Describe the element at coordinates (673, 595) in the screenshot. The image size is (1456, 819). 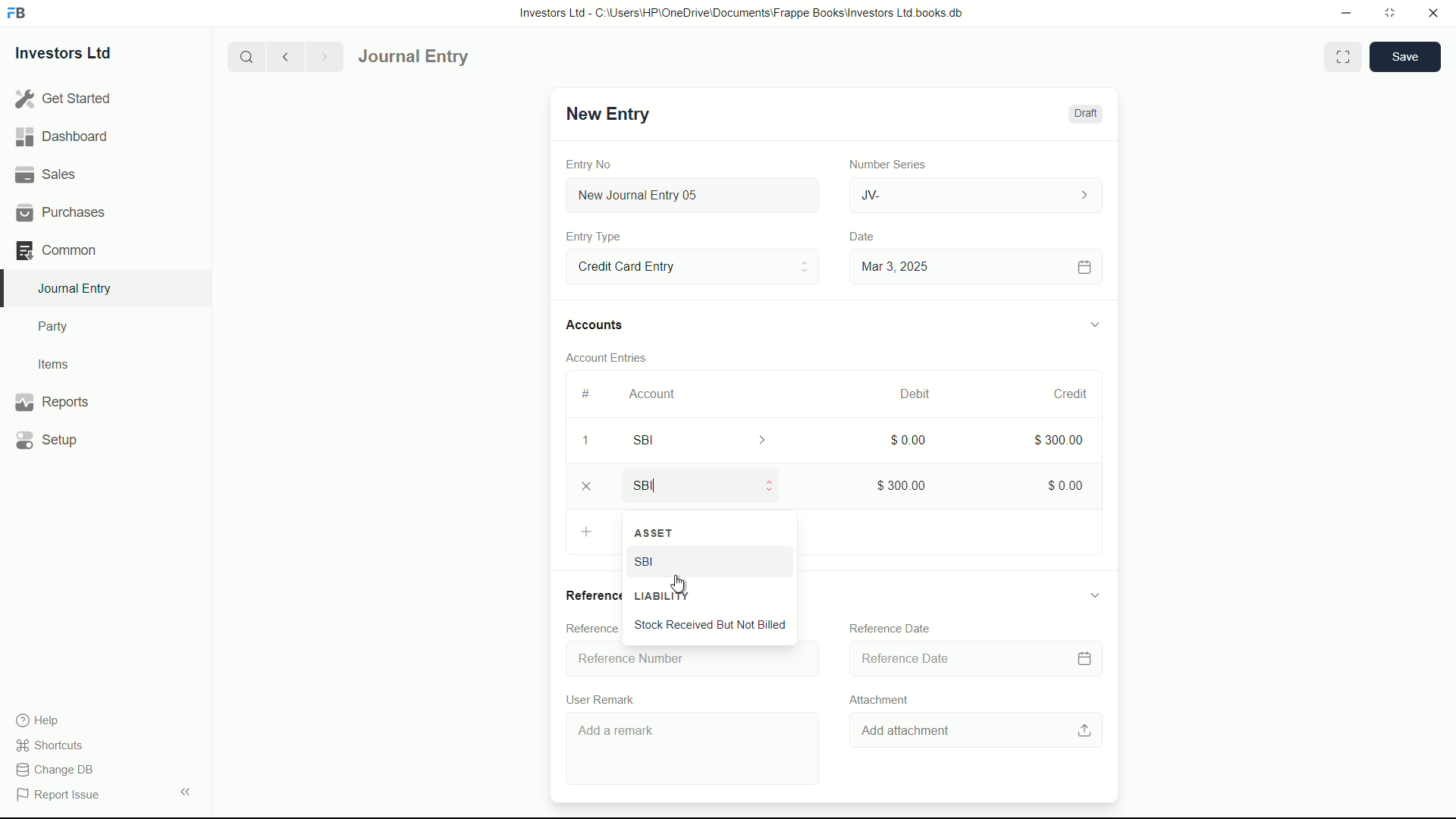
I see `LIABILITY` at that location.